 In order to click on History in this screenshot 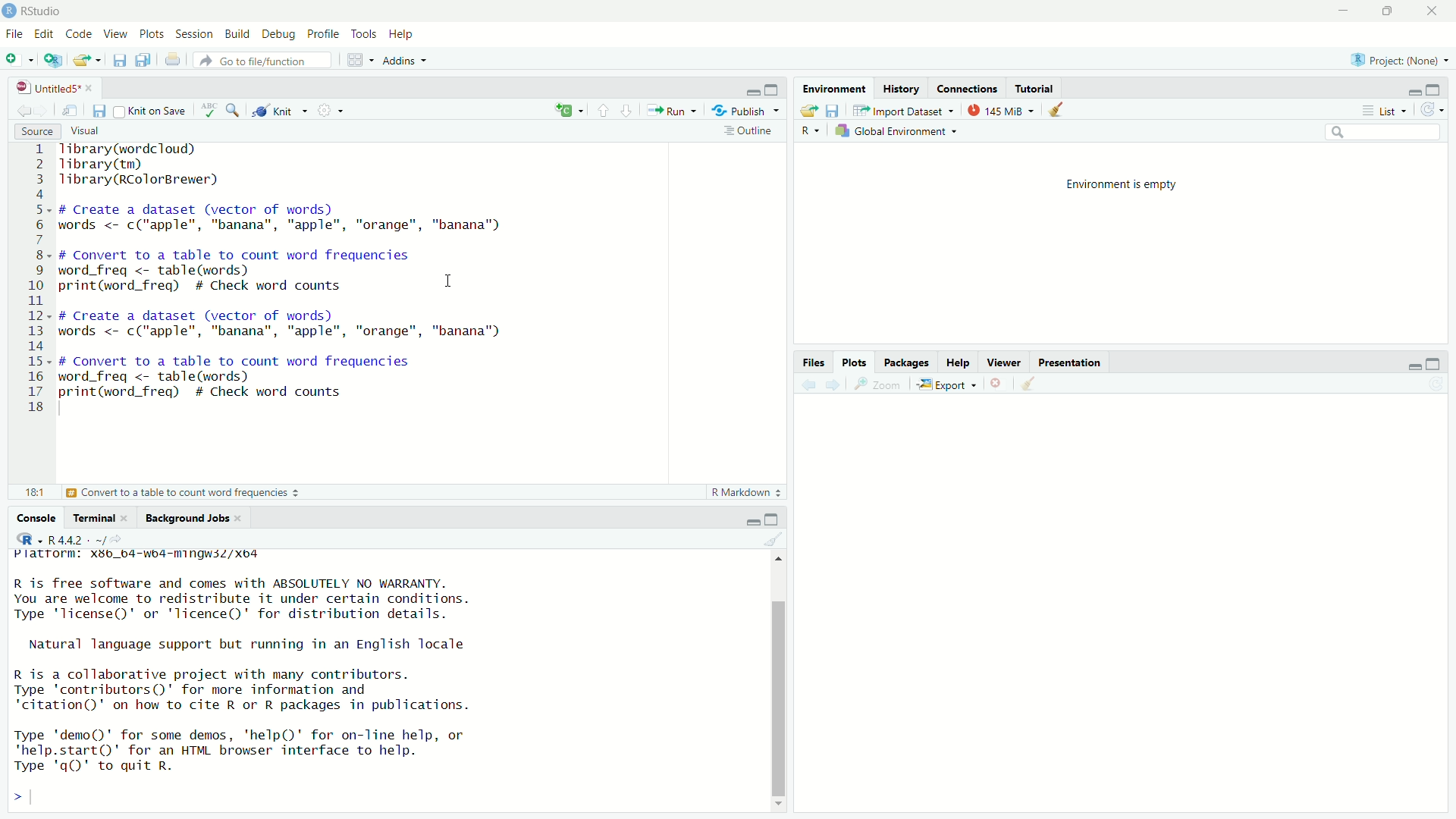, I will do `click(902, 90)`.